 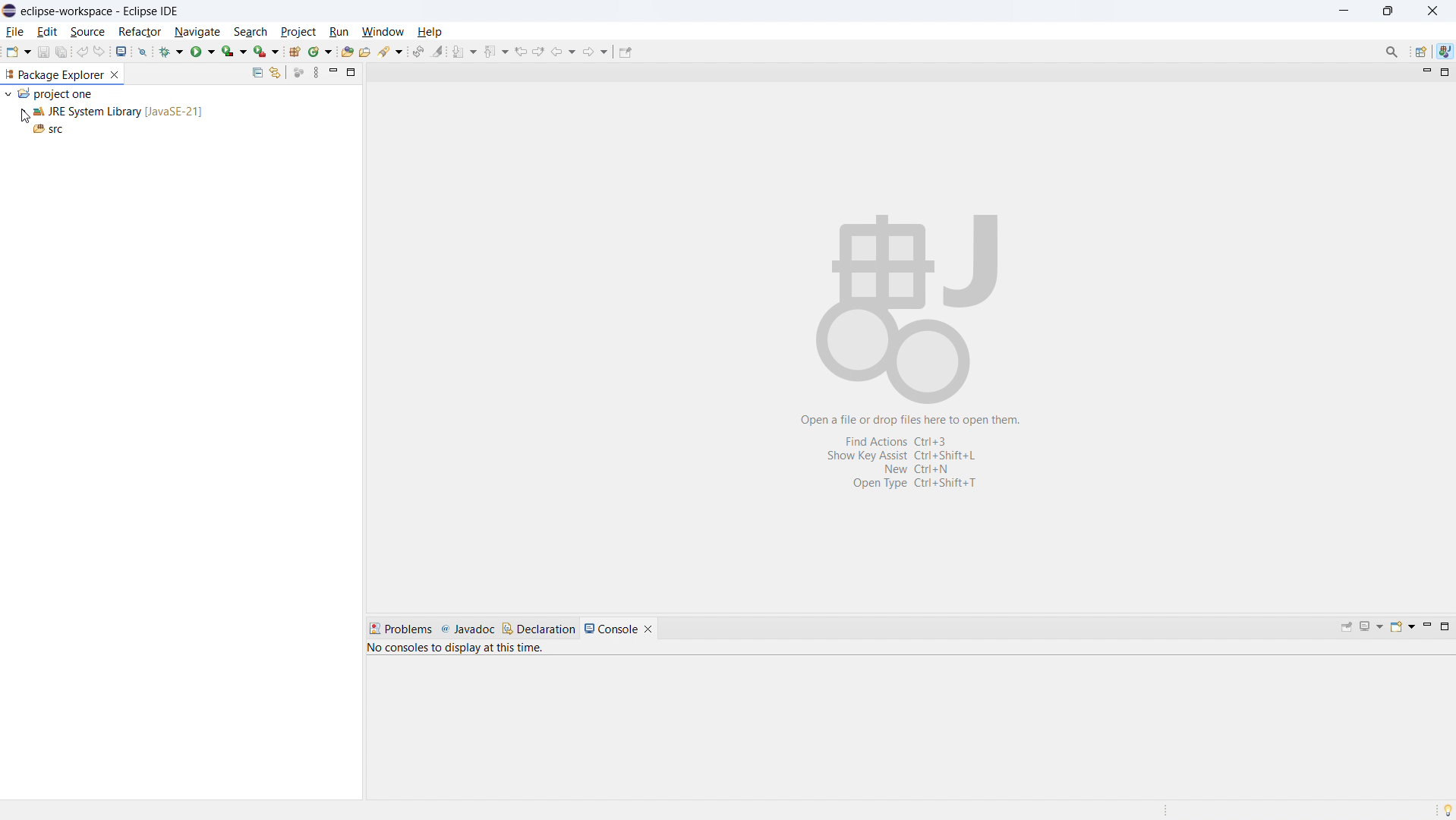 I want to click on project one, so click(x=56, y=95).